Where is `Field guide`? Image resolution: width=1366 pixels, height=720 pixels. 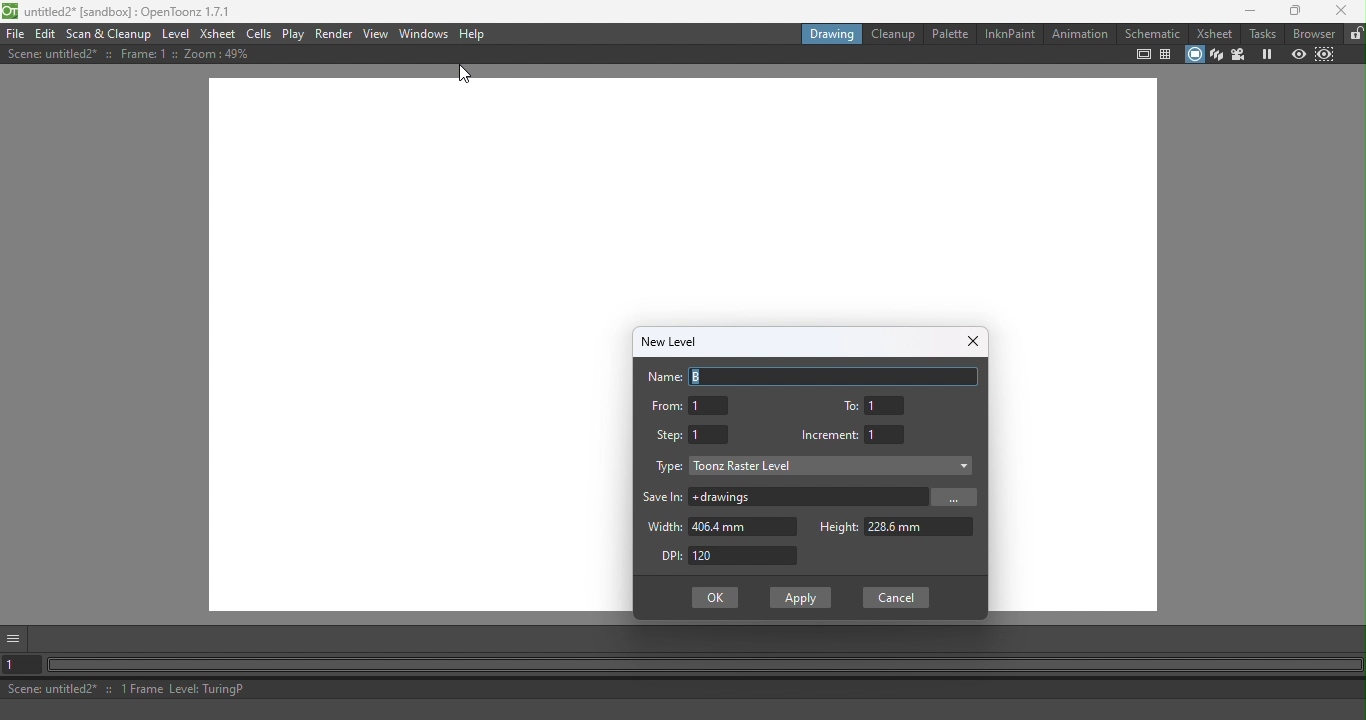
Field guide is located at coordinates (1168, 56).